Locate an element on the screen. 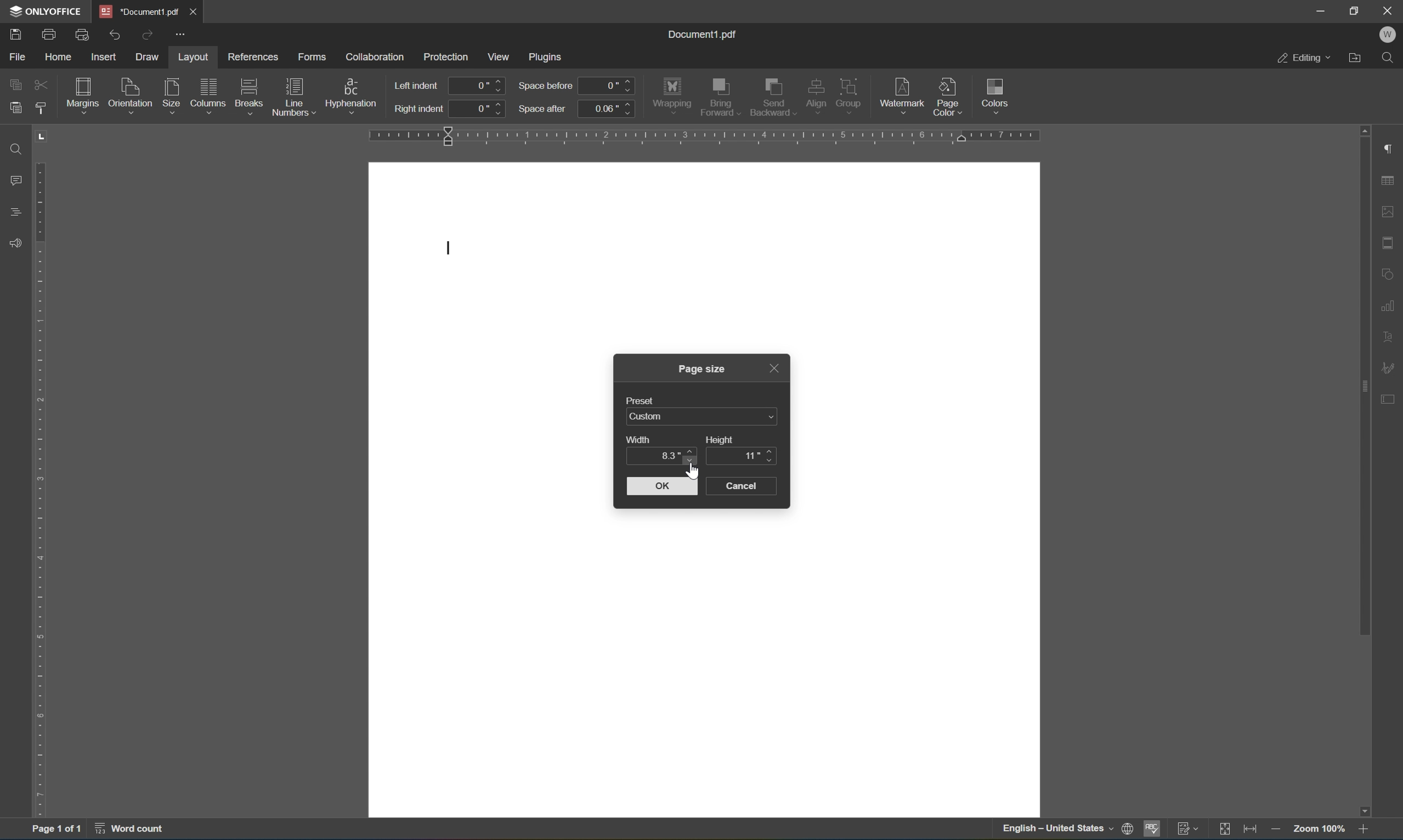  0 is located at coordinates (609, 85).